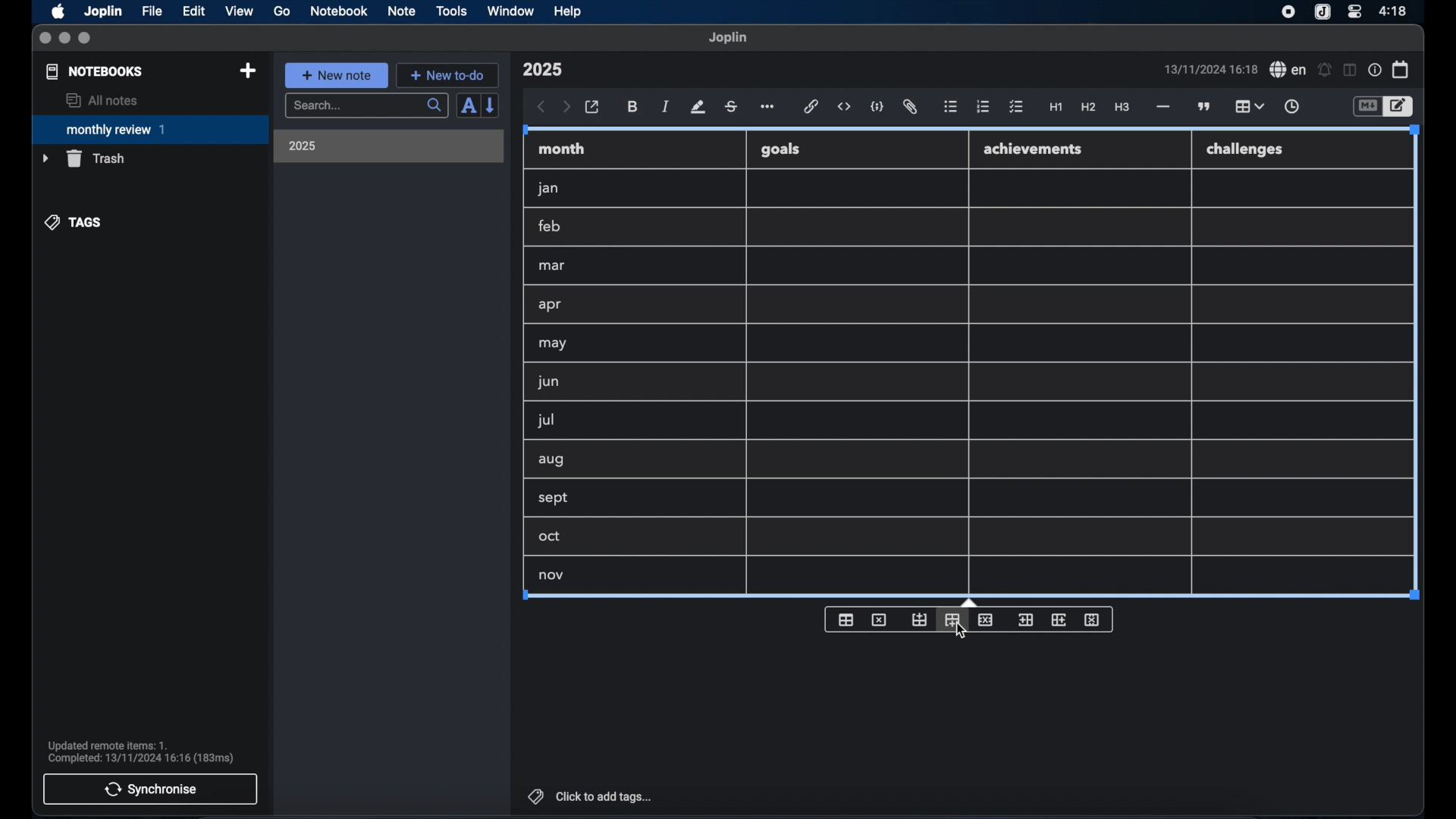 This screenshot has width=1456, height=819. I want to click on delete row, so click(987, 620).